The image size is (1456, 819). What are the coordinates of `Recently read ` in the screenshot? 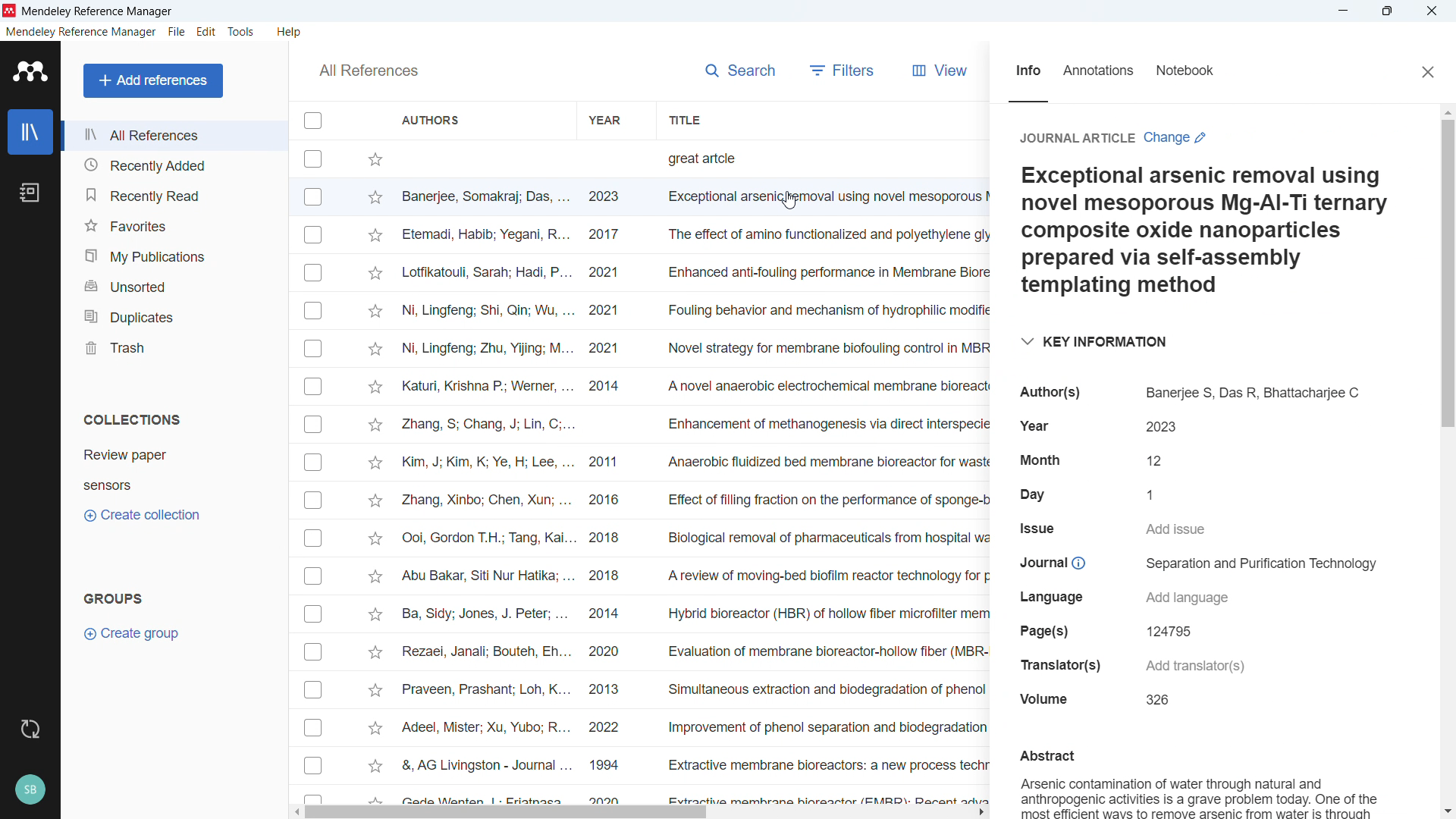 It's located at (174, 195).